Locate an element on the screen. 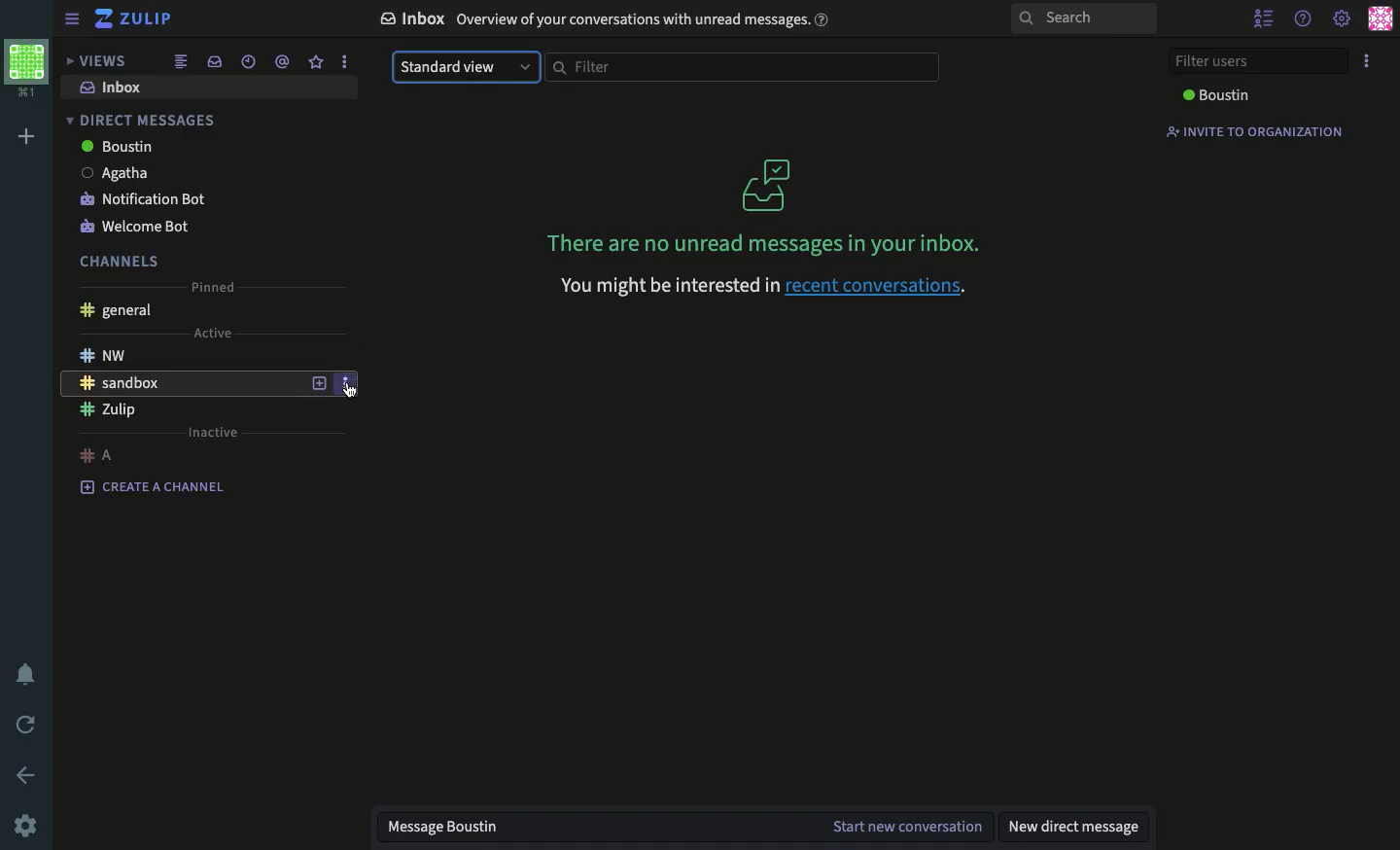 The height and width of the screenshot is (850, 1400). cursor is located at coordinates (350, 394).